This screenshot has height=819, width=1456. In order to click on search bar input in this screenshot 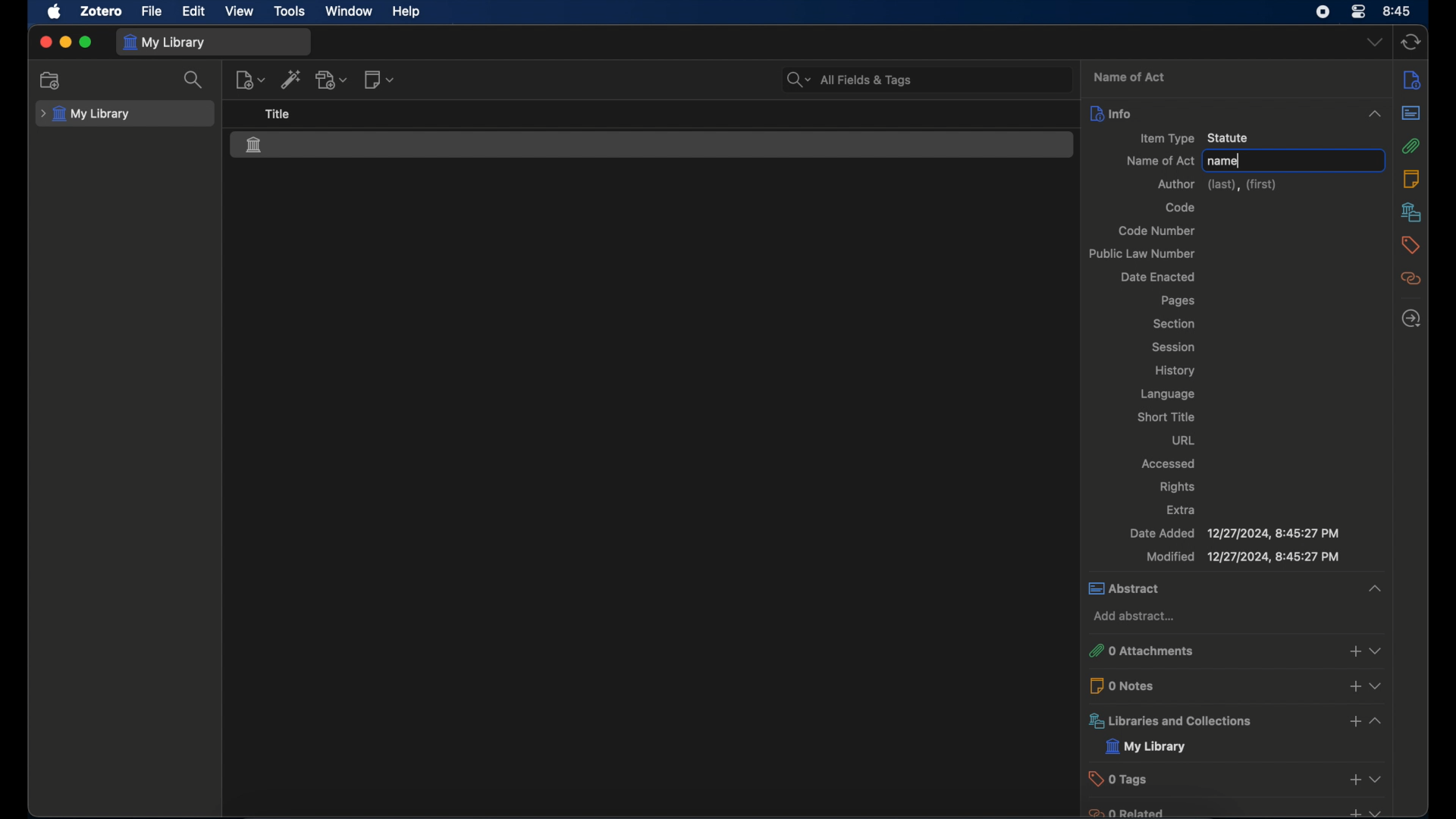, I will do `click(946, 79)`.